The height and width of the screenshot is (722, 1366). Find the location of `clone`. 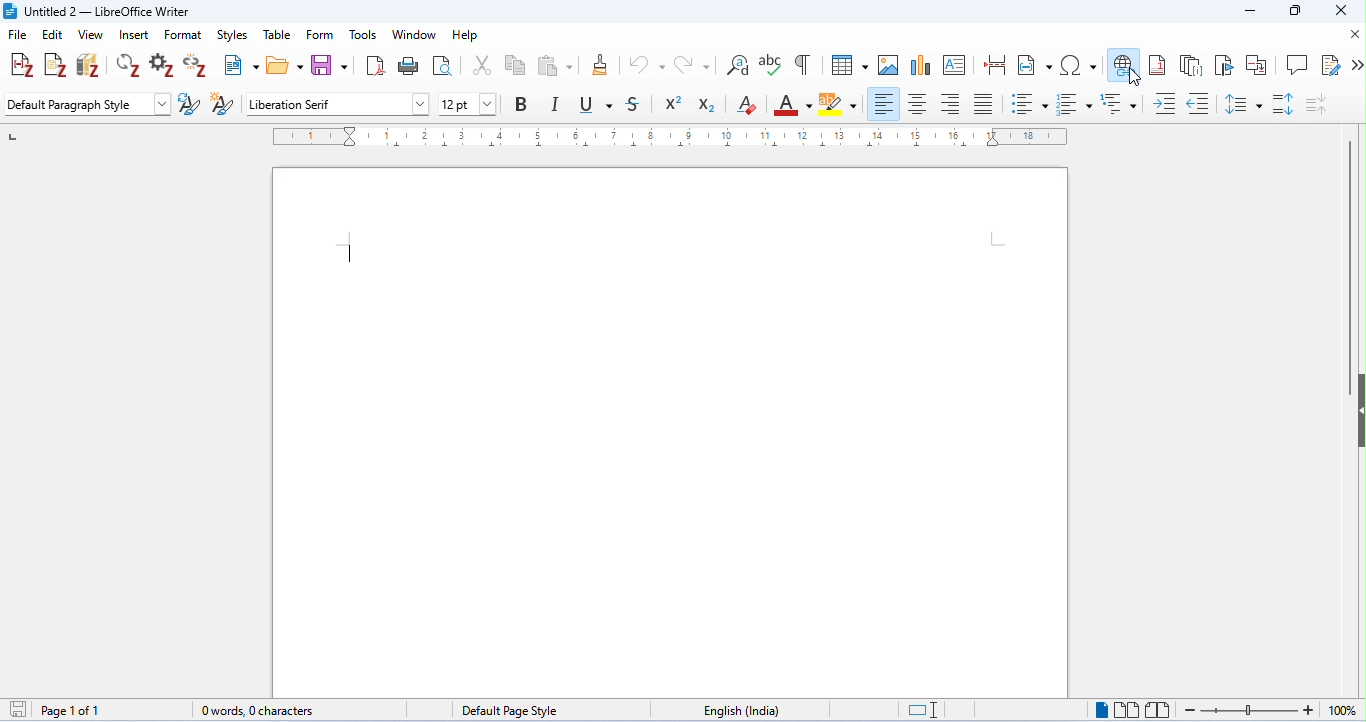

clone is located at coordinates (602, 65).